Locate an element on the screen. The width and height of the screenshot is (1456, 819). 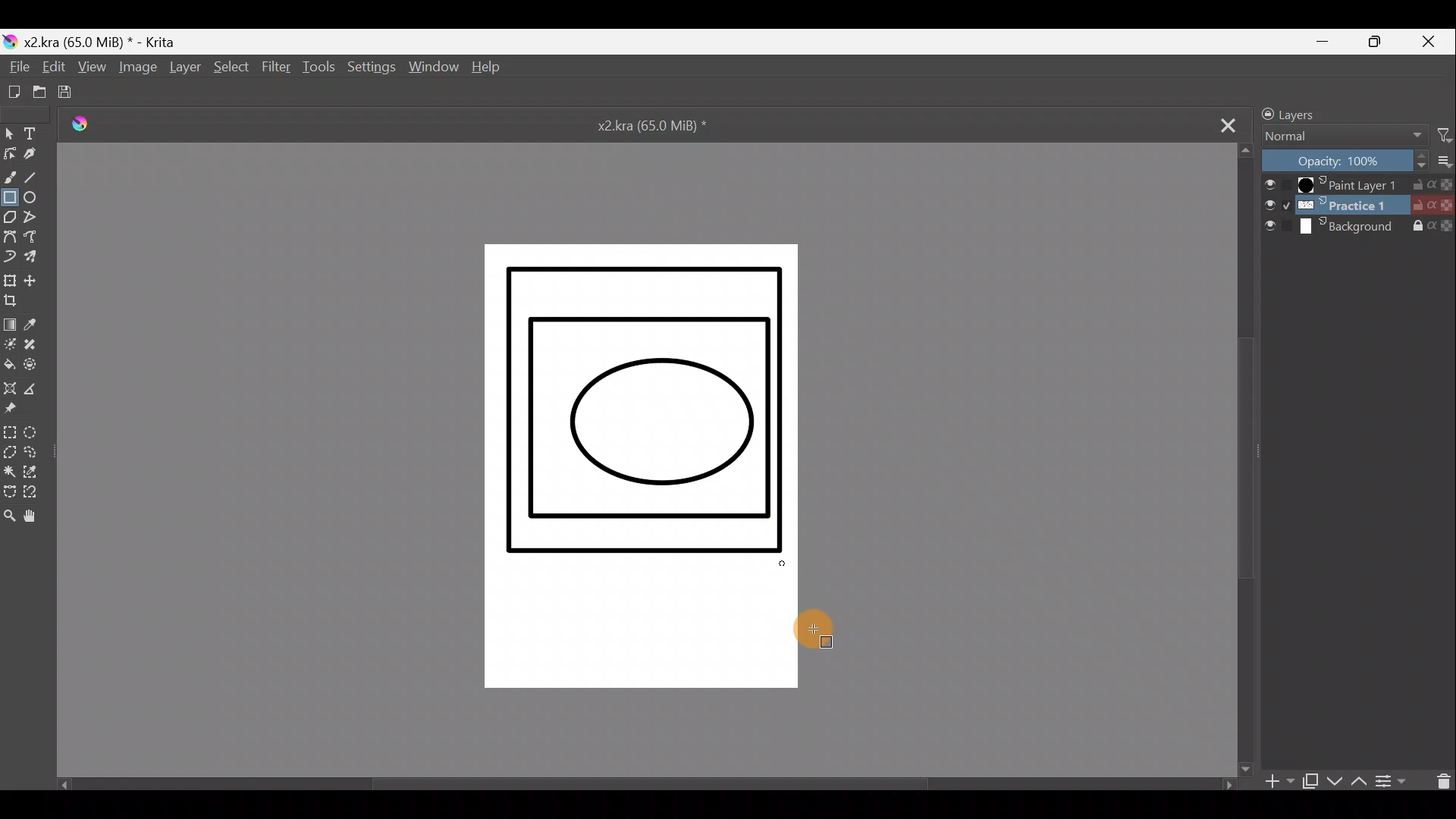
Logo is located at coordinates (74, 120).